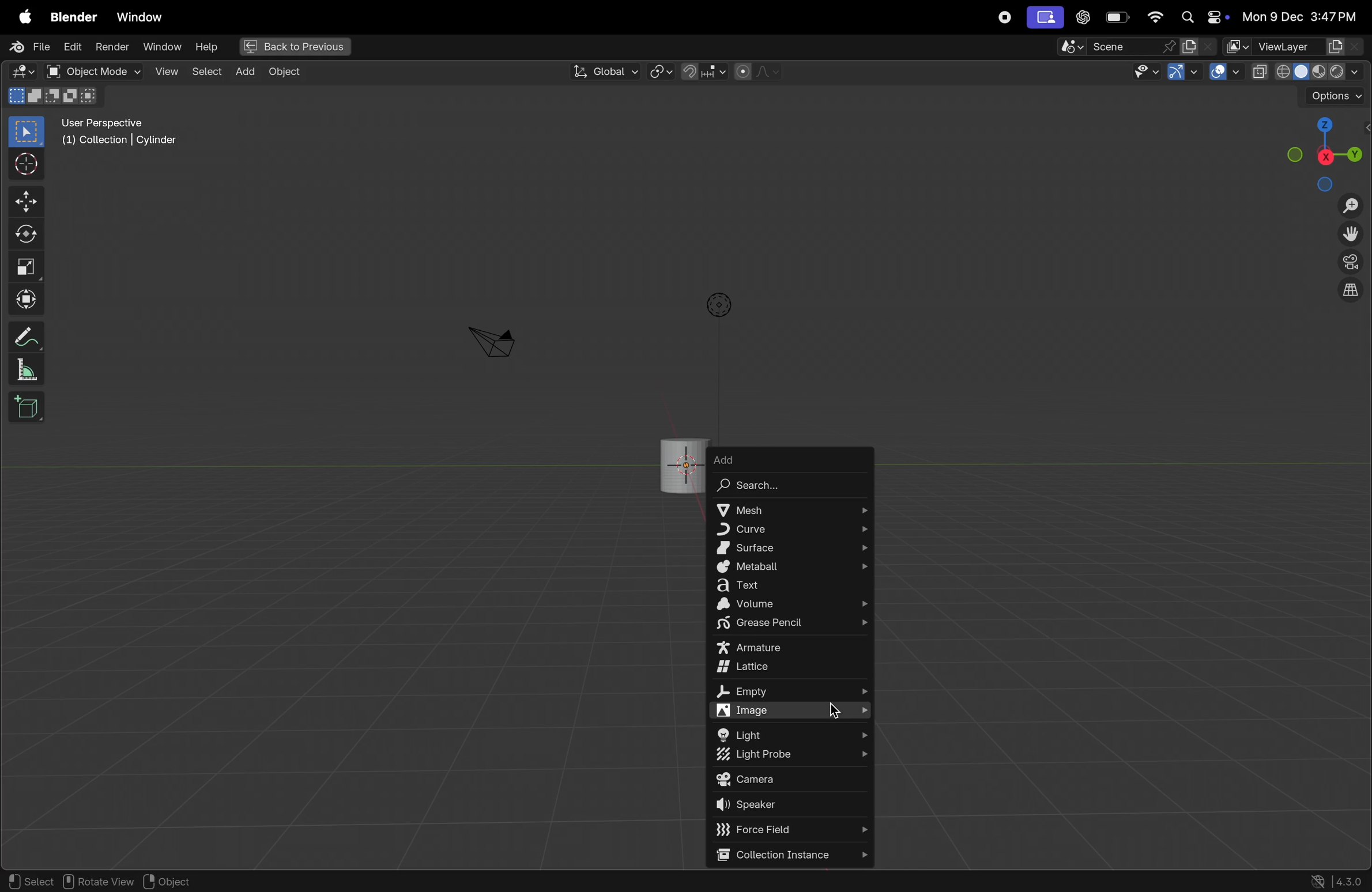 Image resolution: width=1372 pixels, height=892 pixels. What do you see at coordinates (836, 713) in the screenshot?
I see `cursor` at bounding box center [836, 713].